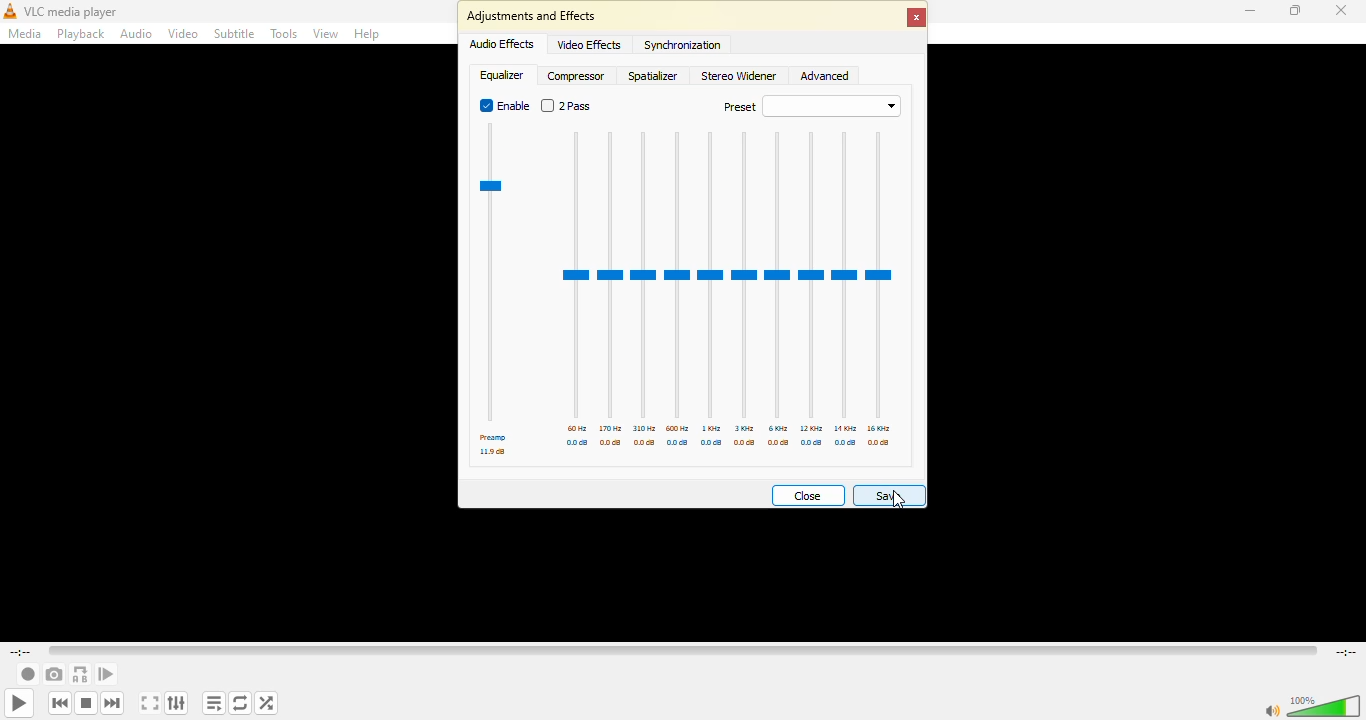  I want to click on take a snapshot, so click(53, 674).